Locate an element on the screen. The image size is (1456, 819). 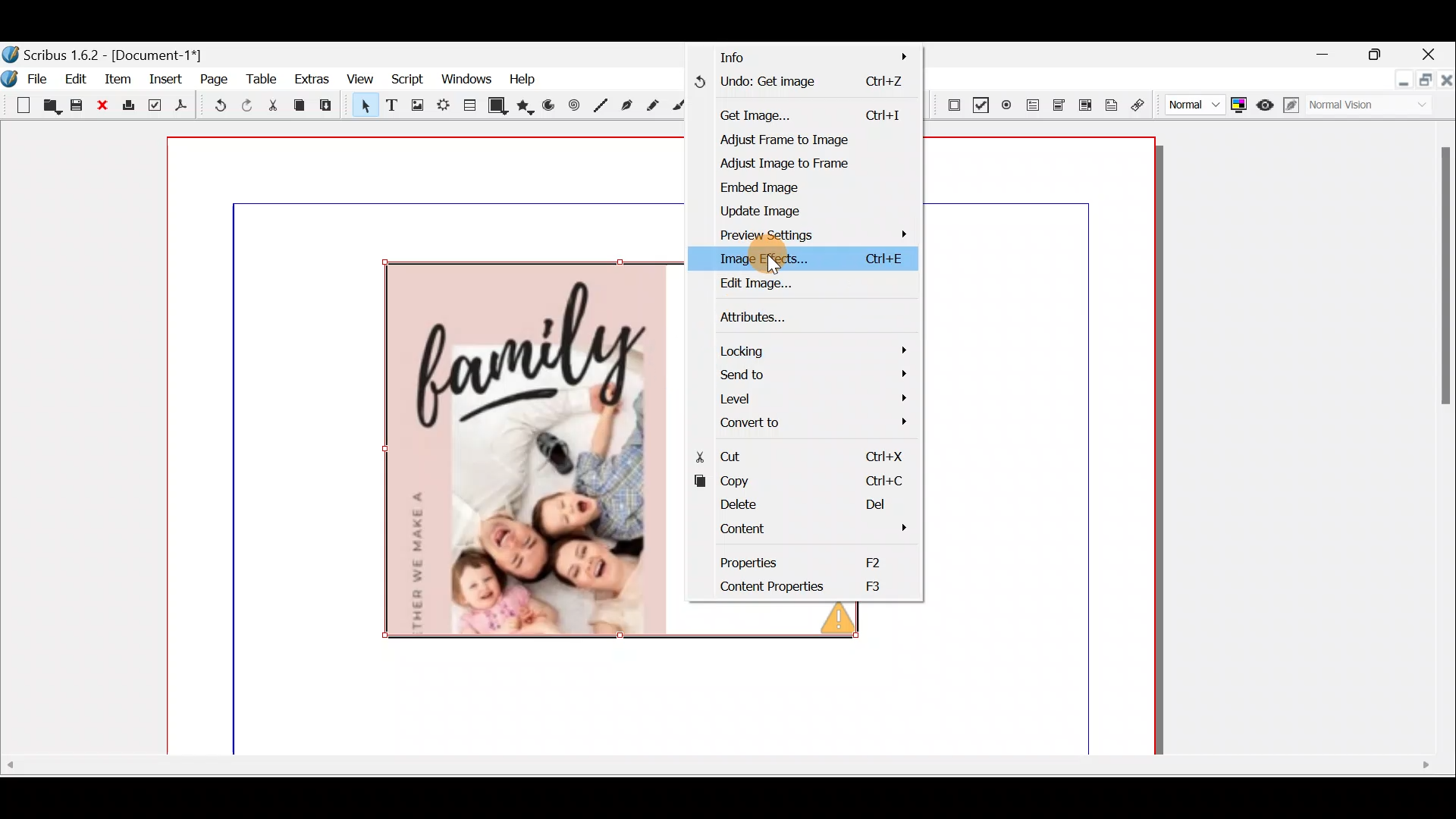
Polygon is located at coordinates (526, 107).